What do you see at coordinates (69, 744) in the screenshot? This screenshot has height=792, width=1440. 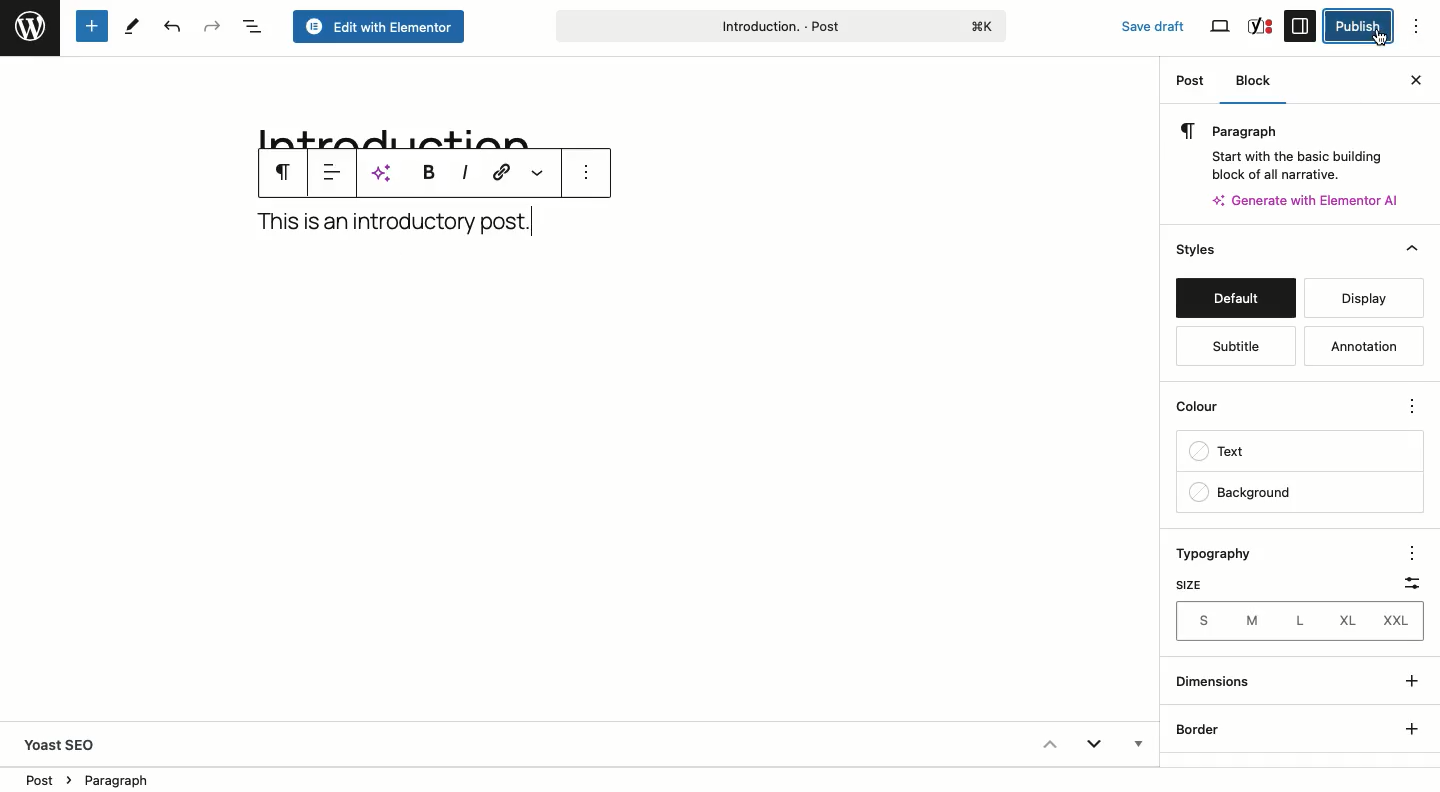 I see `Yoast SEO` at bounding box center [69, 744].